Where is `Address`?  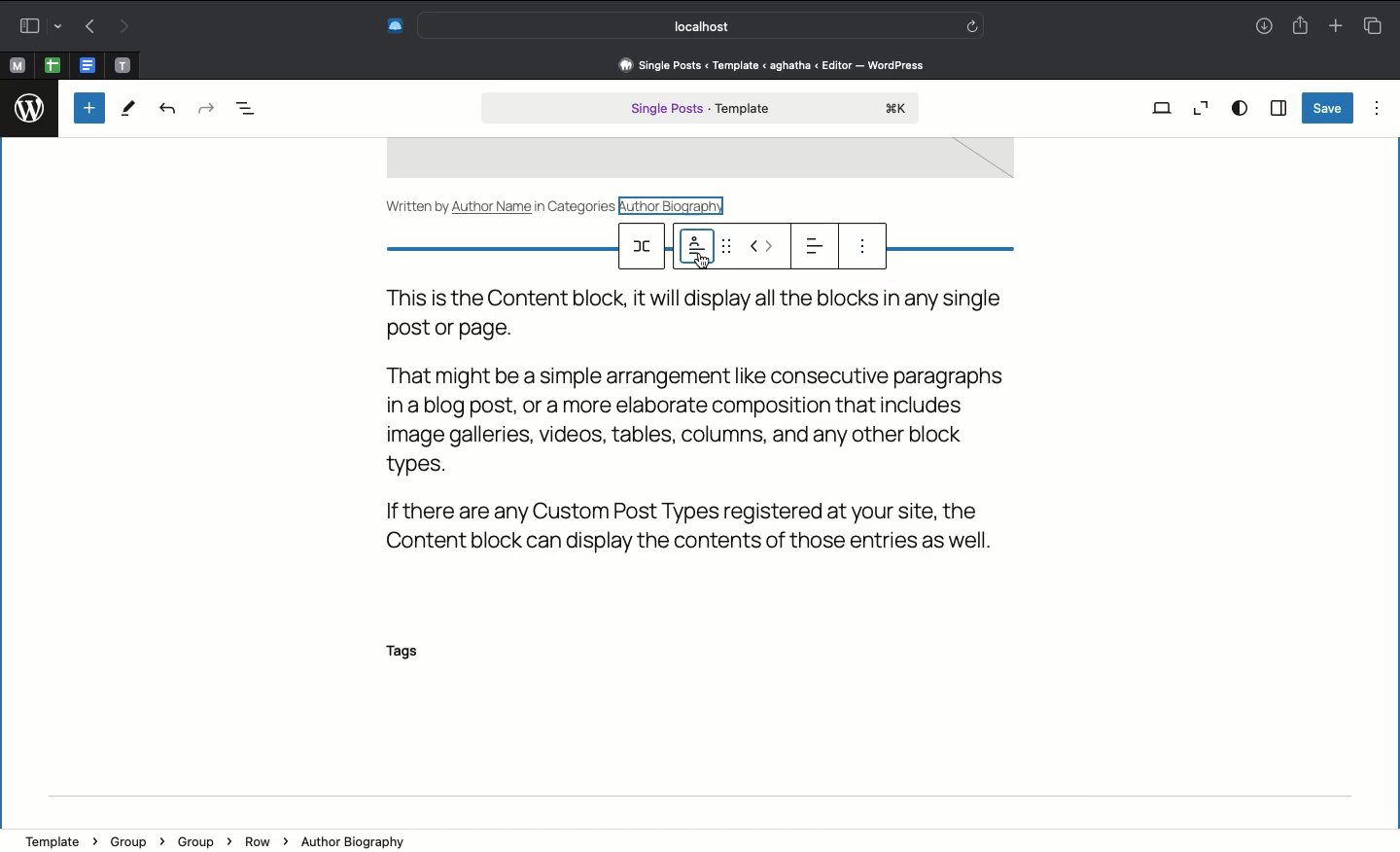
Address is located at coordinates (769, 64).